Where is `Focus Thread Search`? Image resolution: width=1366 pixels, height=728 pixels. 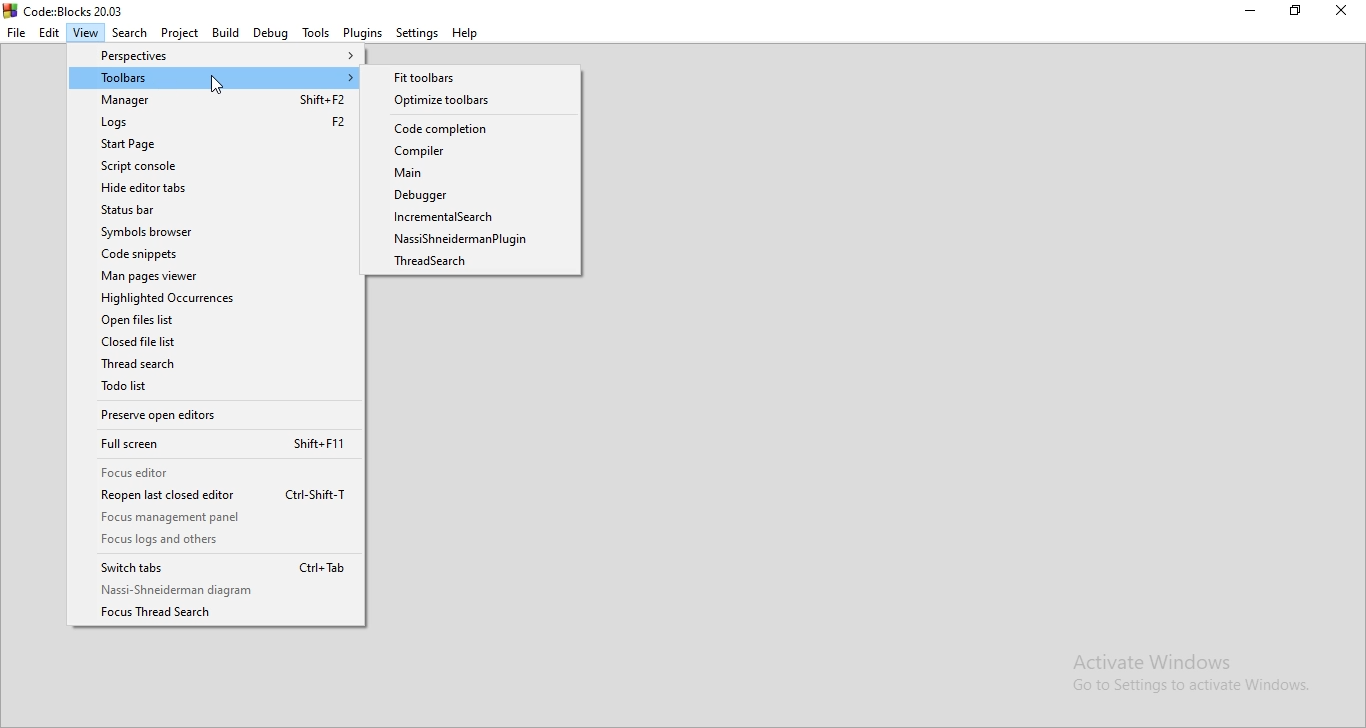 Focus Thread Search is located at coordinates (217, 613).